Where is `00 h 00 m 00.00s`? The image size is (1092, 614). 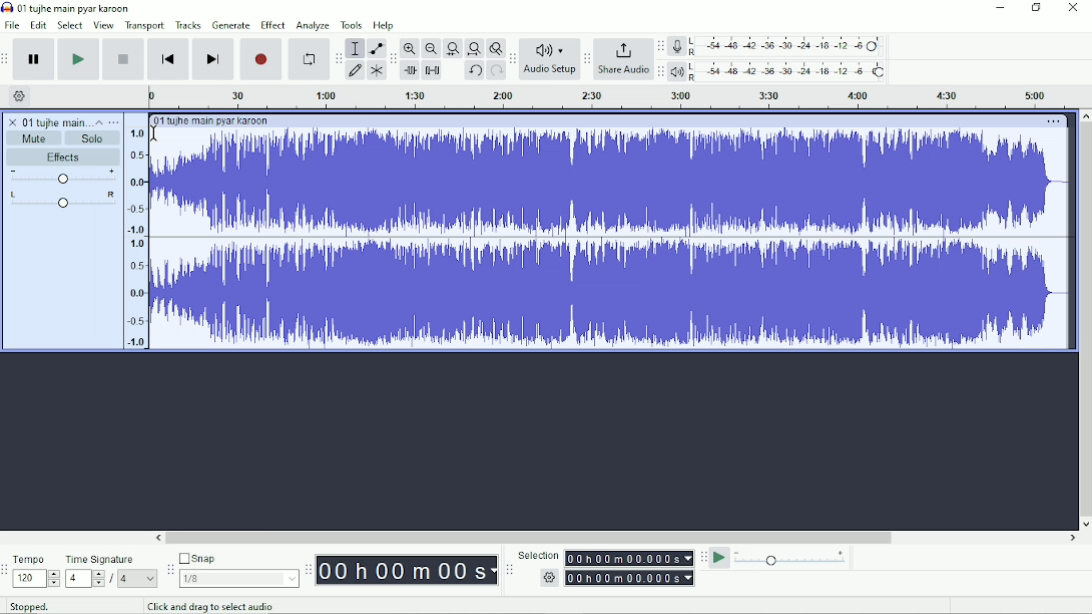 00 h 00 m 00.00s is located at coordinates (630, 578).